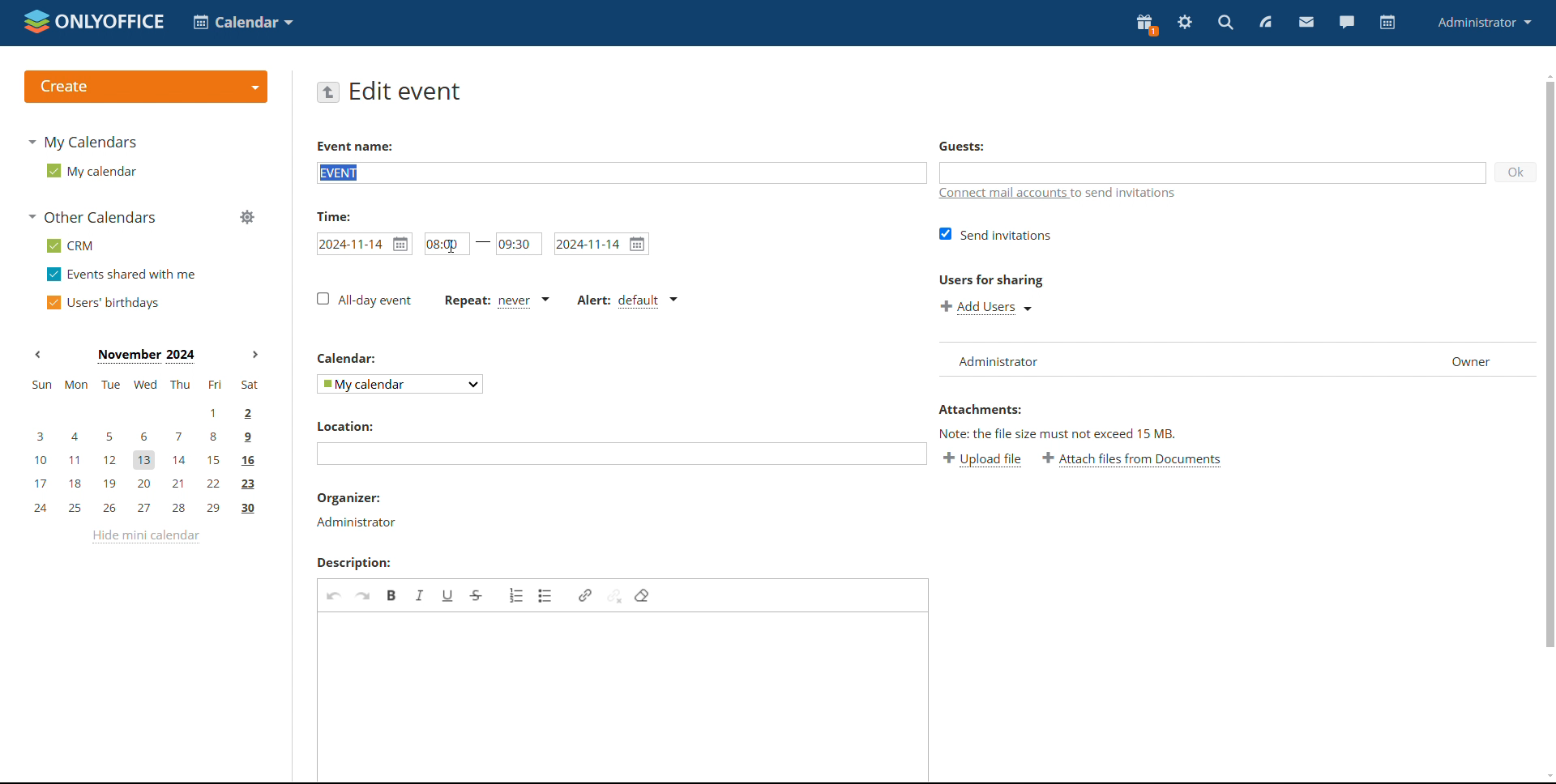 The width and height of the screenshot is (1556, 784). What do you see at coordinates (144, 87) in the screenshot?
I see `create` at bounding box center [144, 87].